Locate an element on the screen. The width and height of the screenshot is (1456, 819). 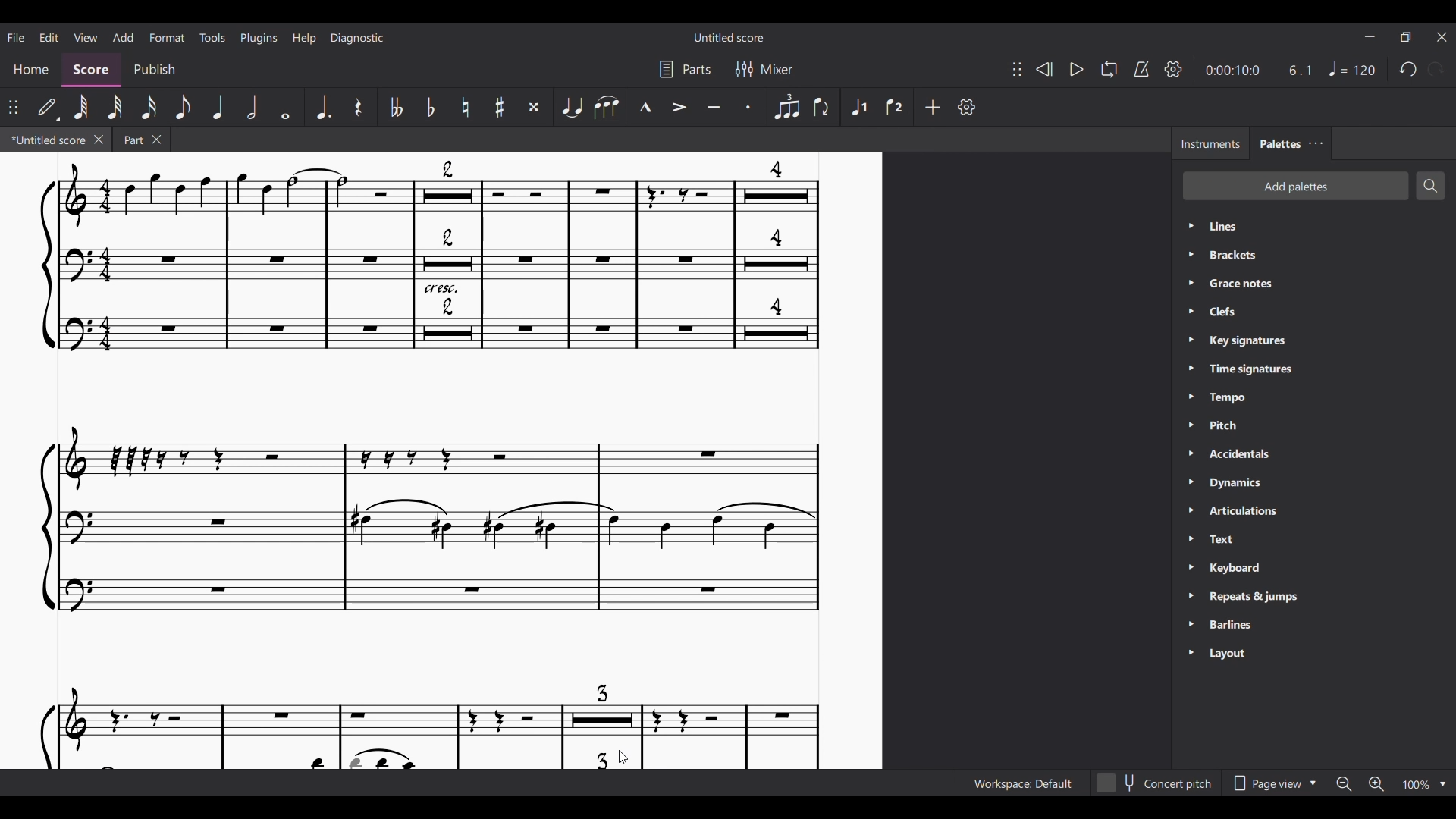
Close interface is located at coordinates (1442, 37).